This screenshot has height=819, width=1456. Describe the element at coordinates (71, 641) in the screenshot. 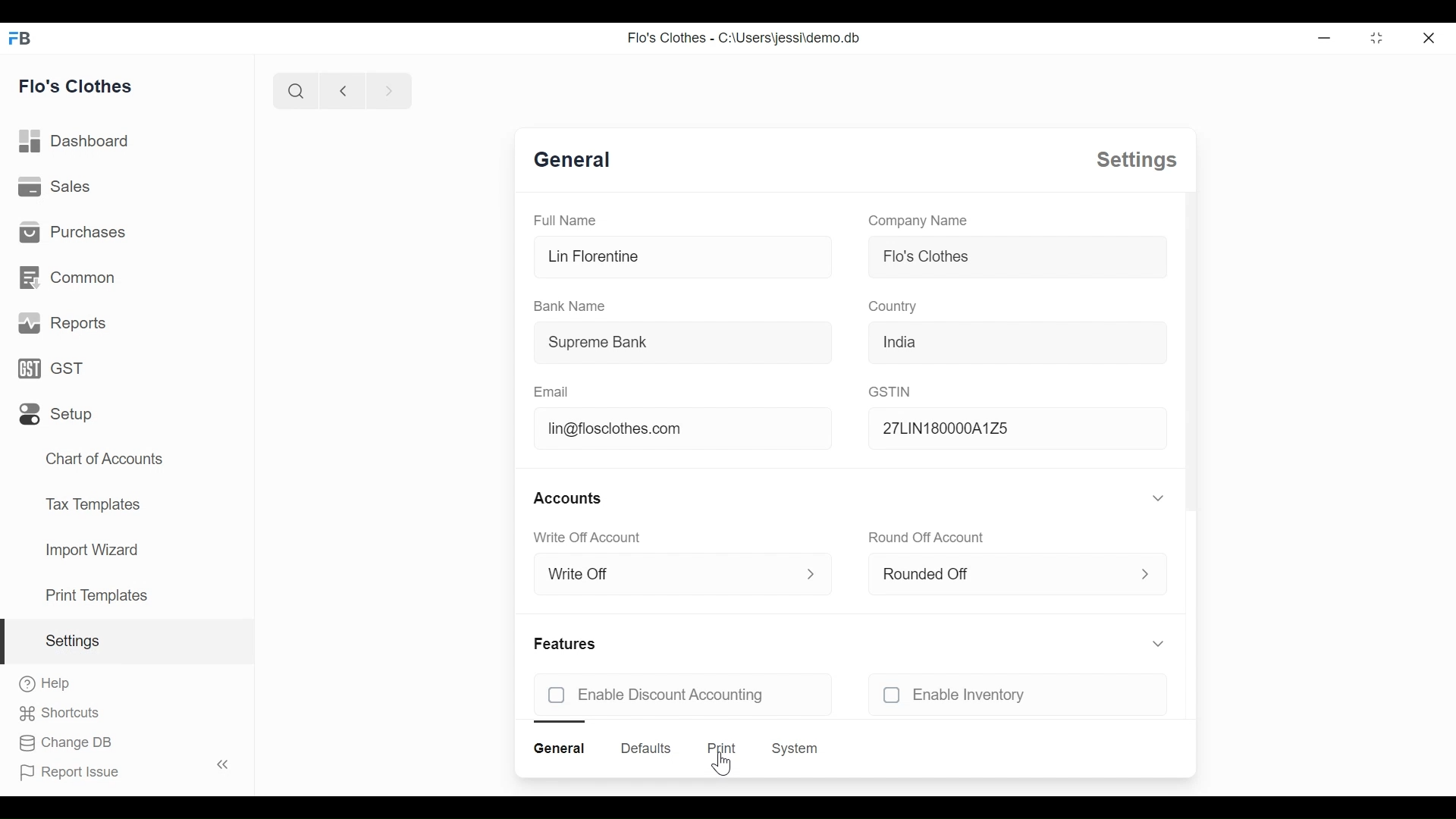

I see `settings` at that location.